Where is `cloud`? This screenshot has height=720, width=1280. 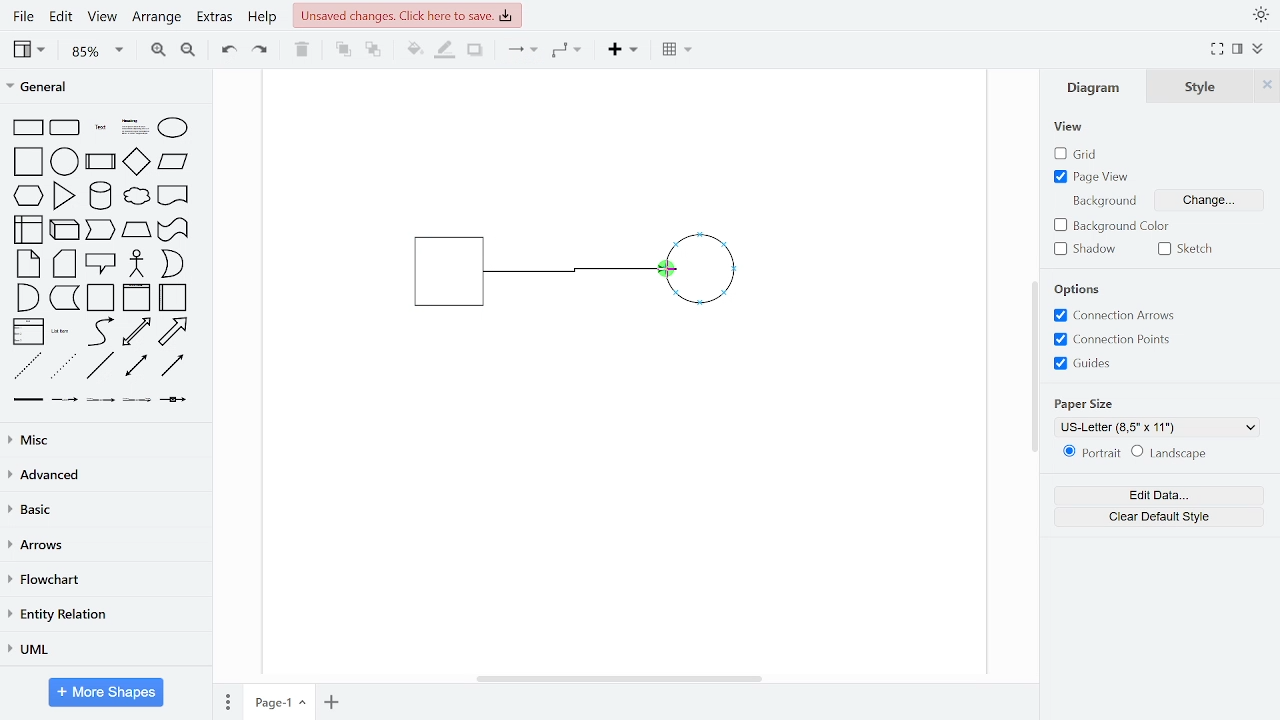
cloud is located at coordinates (135, 197).